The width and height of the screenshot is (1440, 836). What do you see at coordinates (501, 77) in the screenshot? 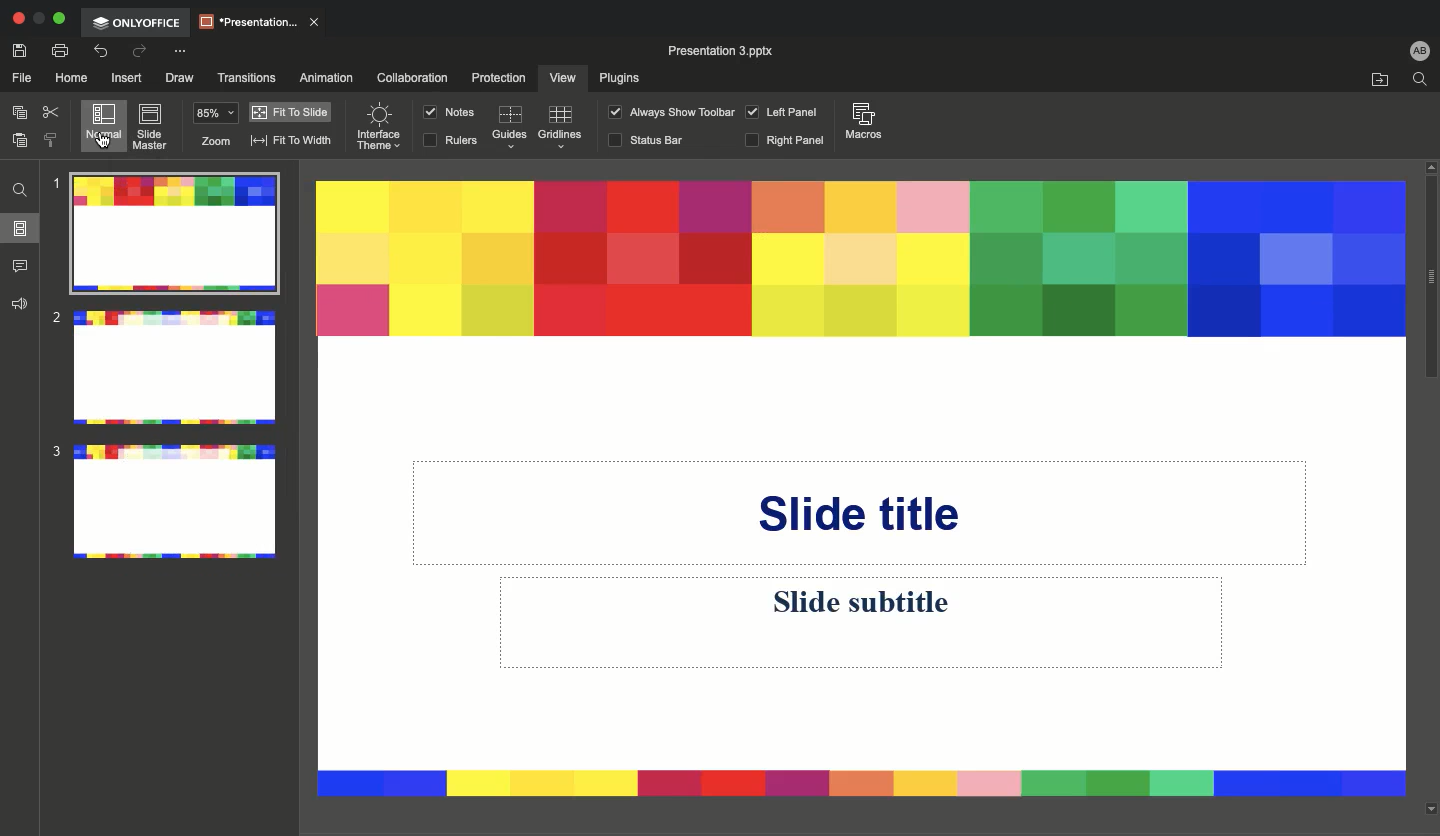
I see `Protection` at bounding box center [501, 77].